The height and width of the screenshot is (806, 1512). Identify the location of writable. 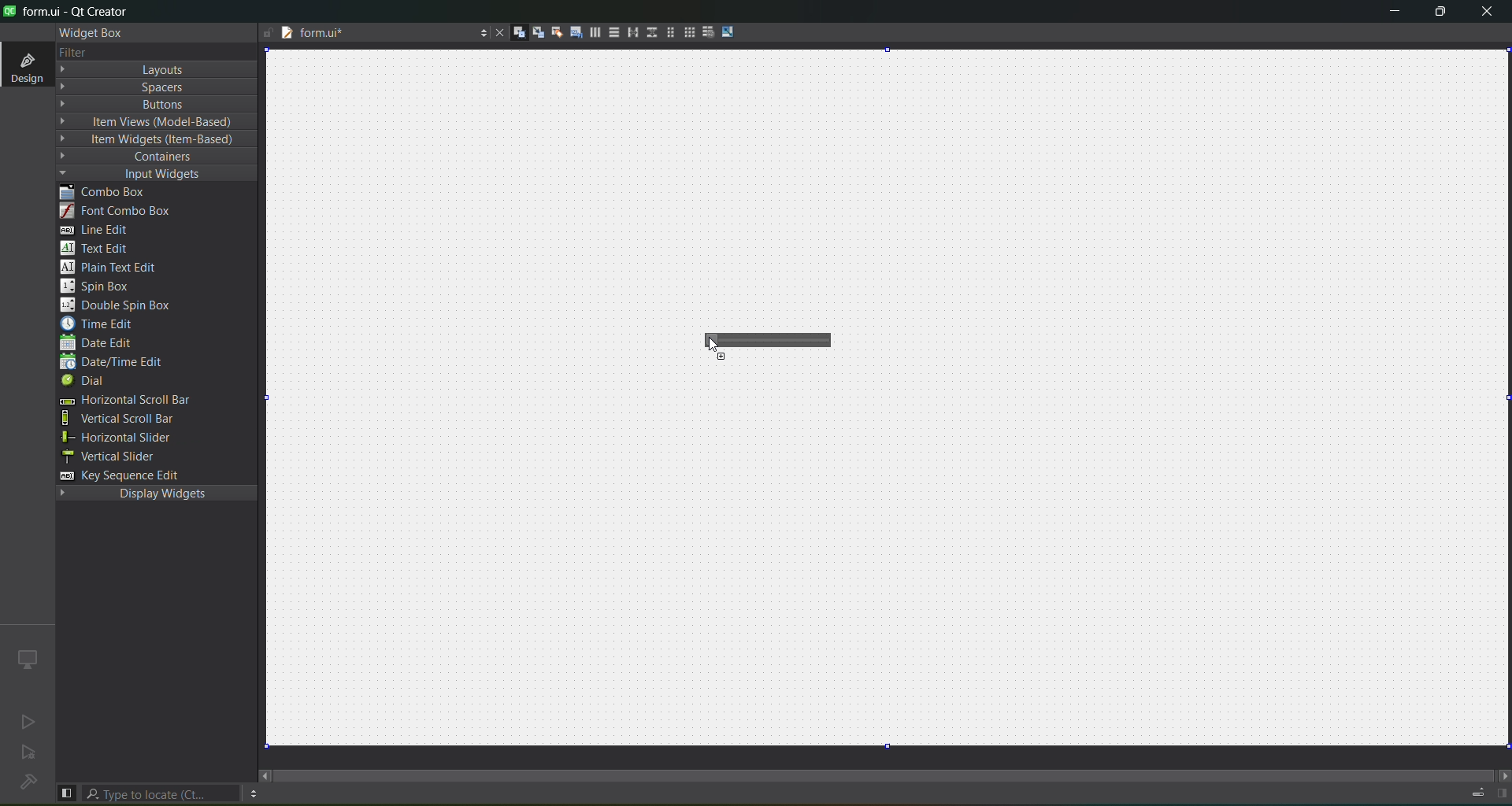
(265, 33).